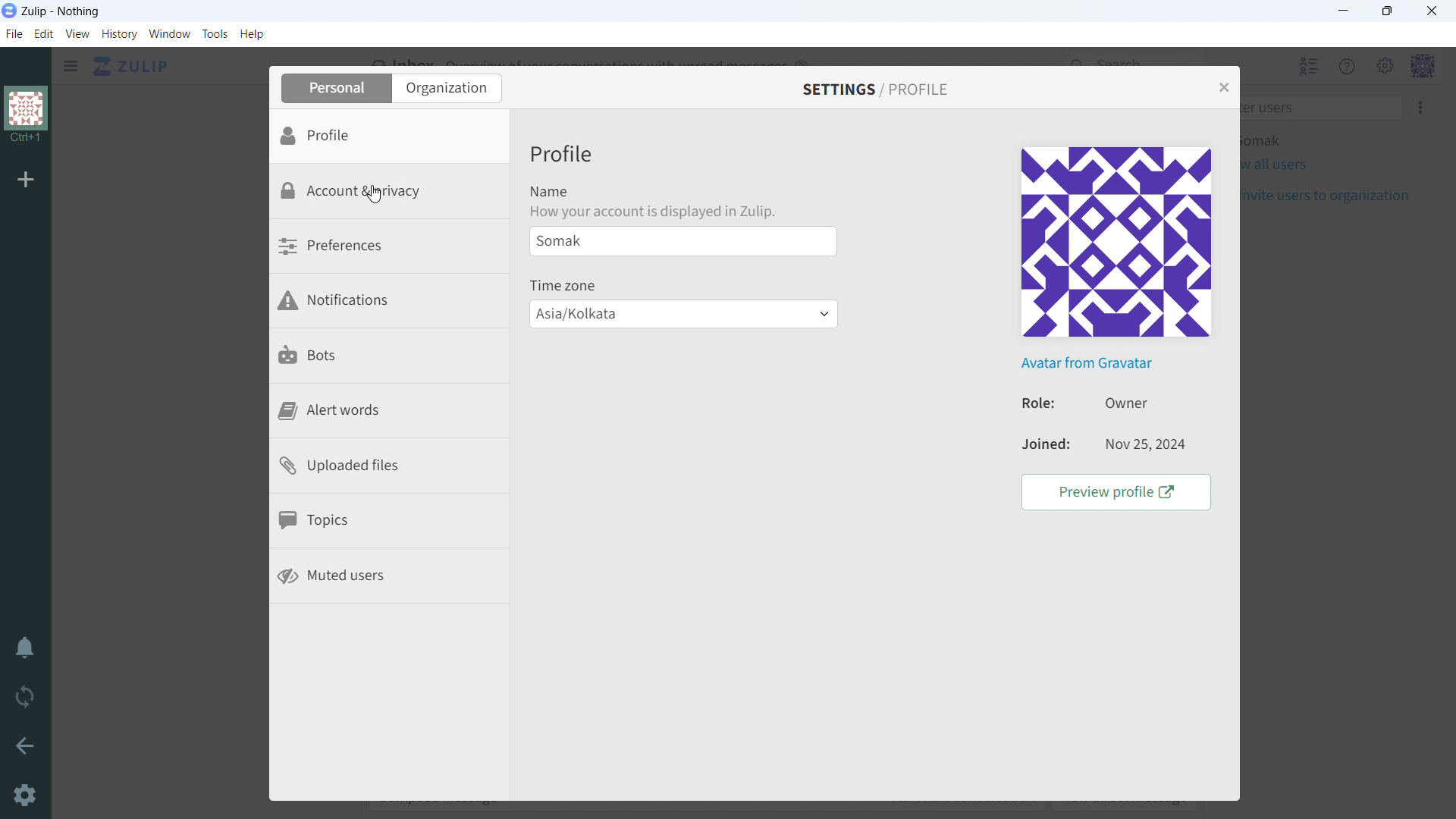 This screenshot has width=1456, height=819. Describe the element at coordinates (1117, 493) in the screenshot. I see `preview profile` at that location.